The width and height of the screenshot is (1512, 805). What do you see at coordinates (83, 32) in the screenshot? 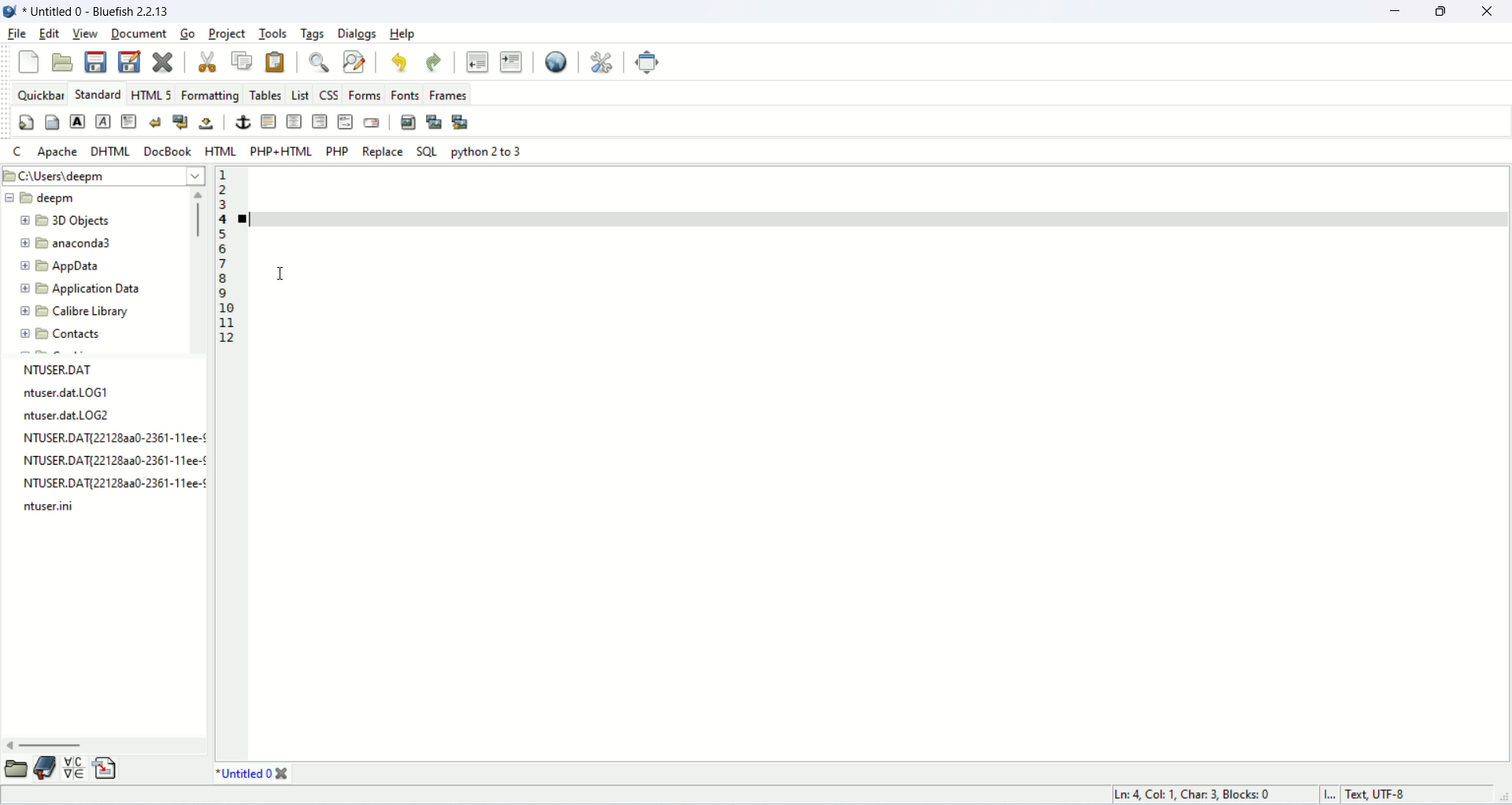
I see `view` at bounding box center [83, 32].